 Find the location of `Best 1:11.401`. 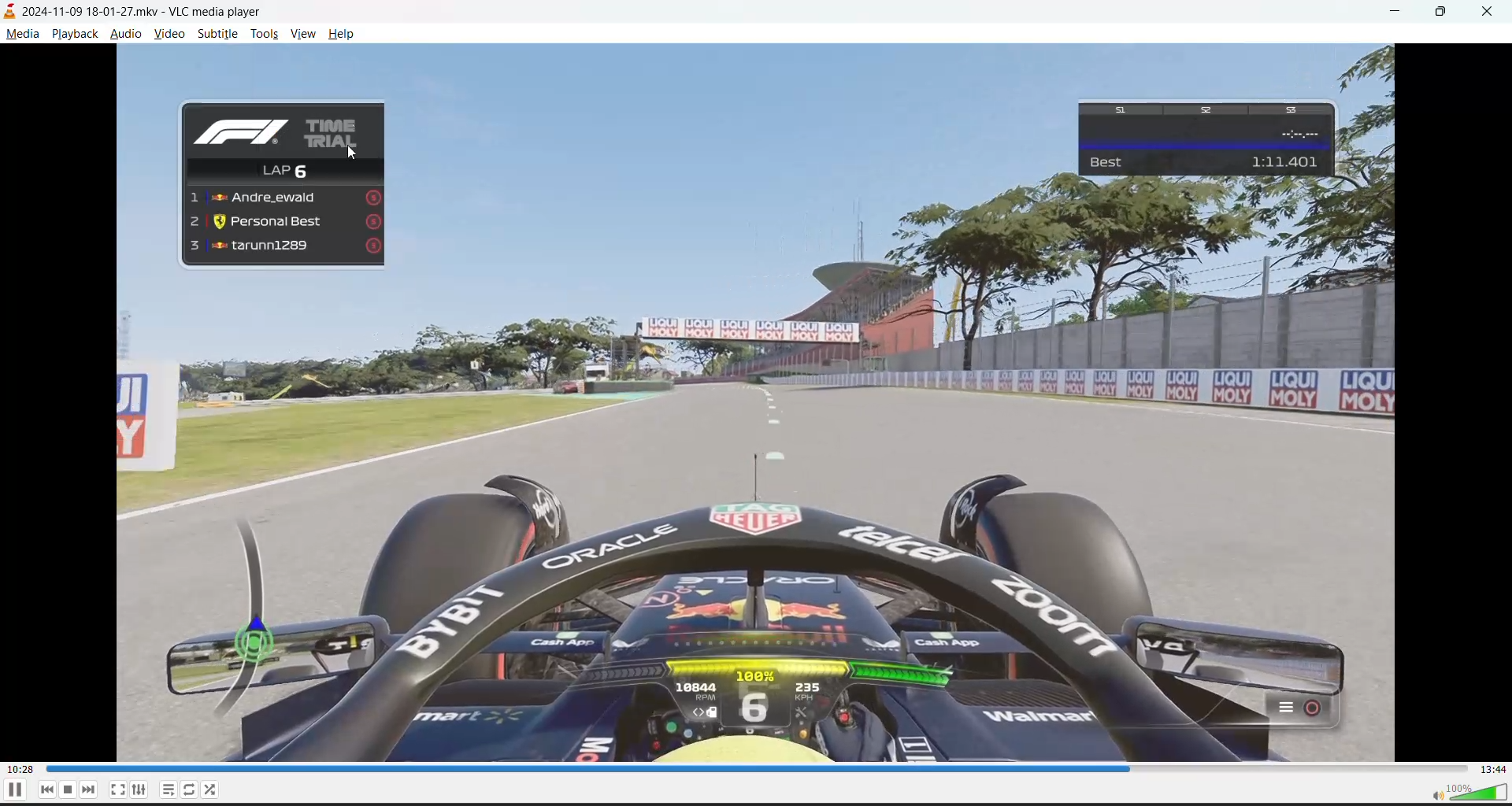

Best 1:11.401 is located at coordinates (1207, 139).